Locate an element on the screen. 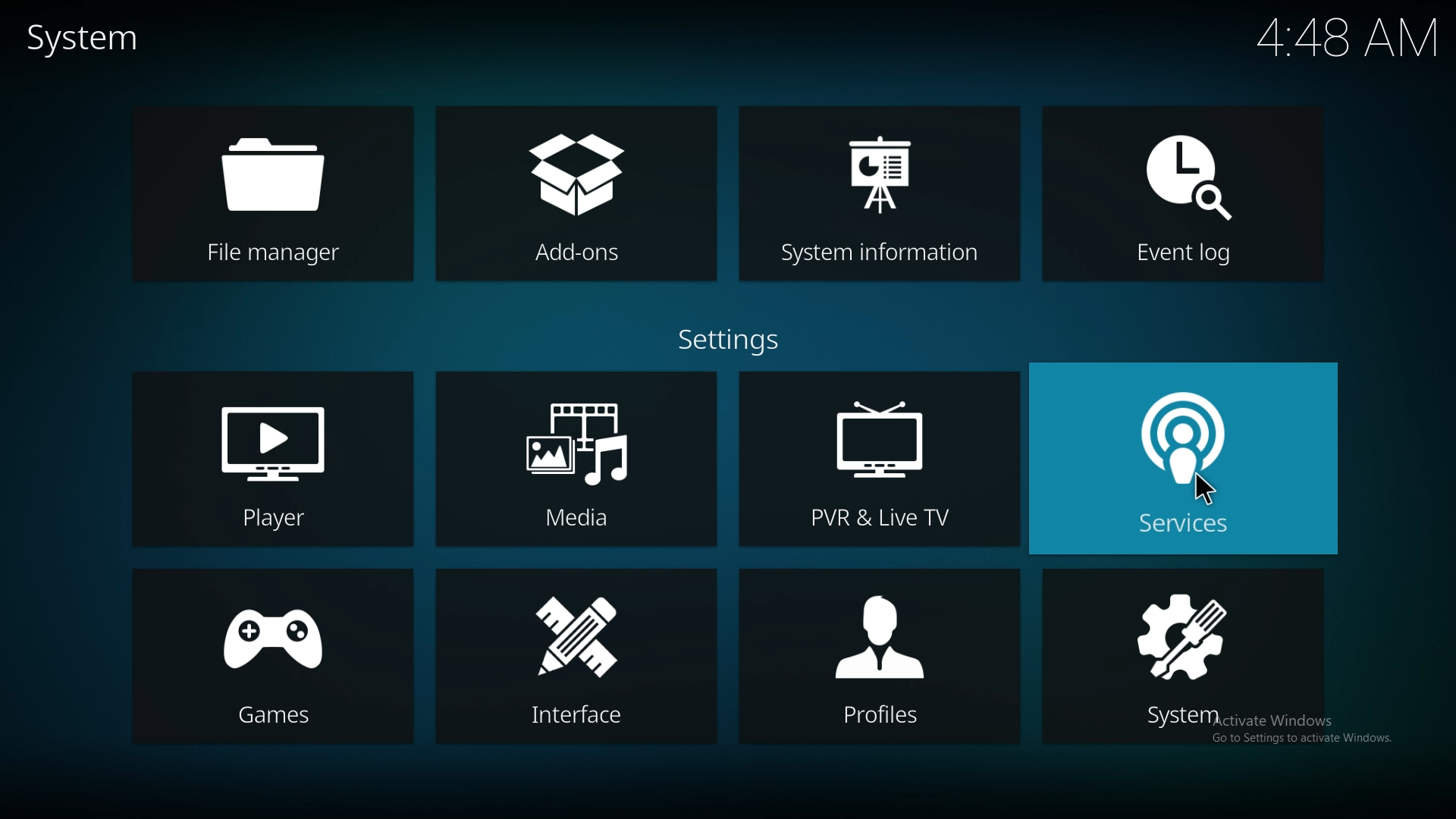 The image size is (1456, 819). event log is located at coordinates (1181, 199).